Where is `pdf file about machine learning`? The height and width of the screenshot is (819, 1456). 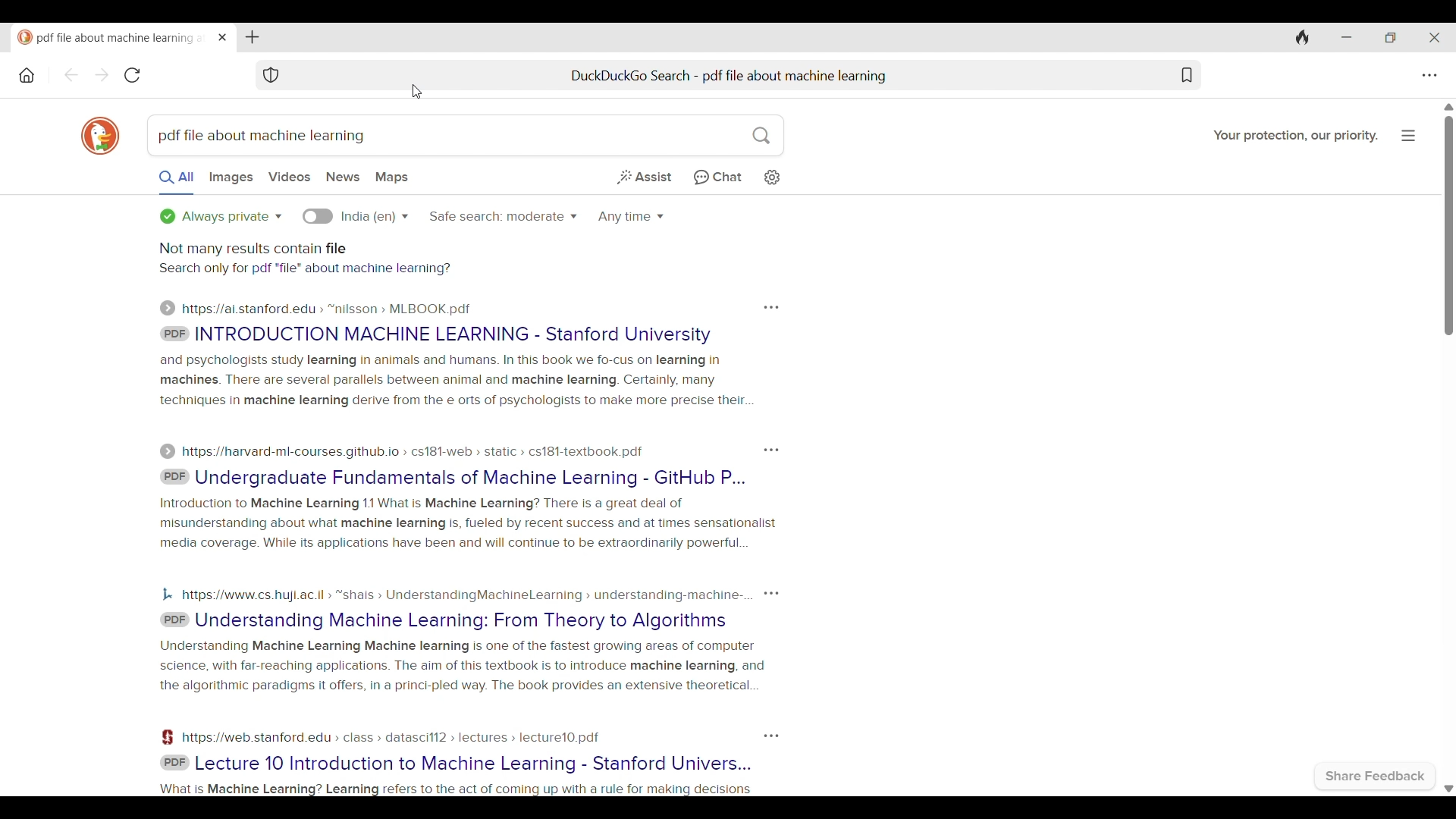
pdf file about machine learning is located at coordinates (260, 136).